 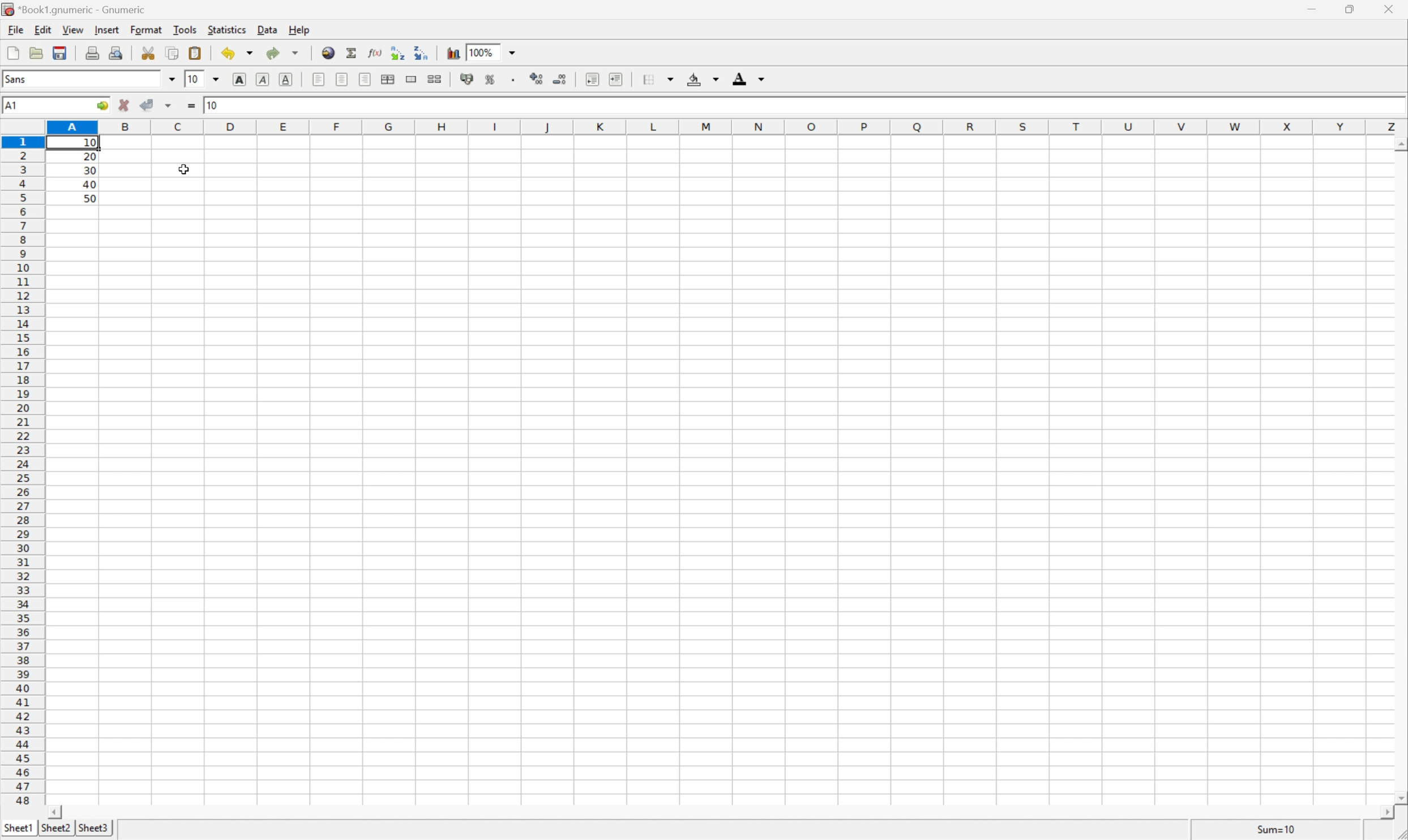 I want to click on Increase the indent, and align the contents to the left, so click(x=616, y=76).